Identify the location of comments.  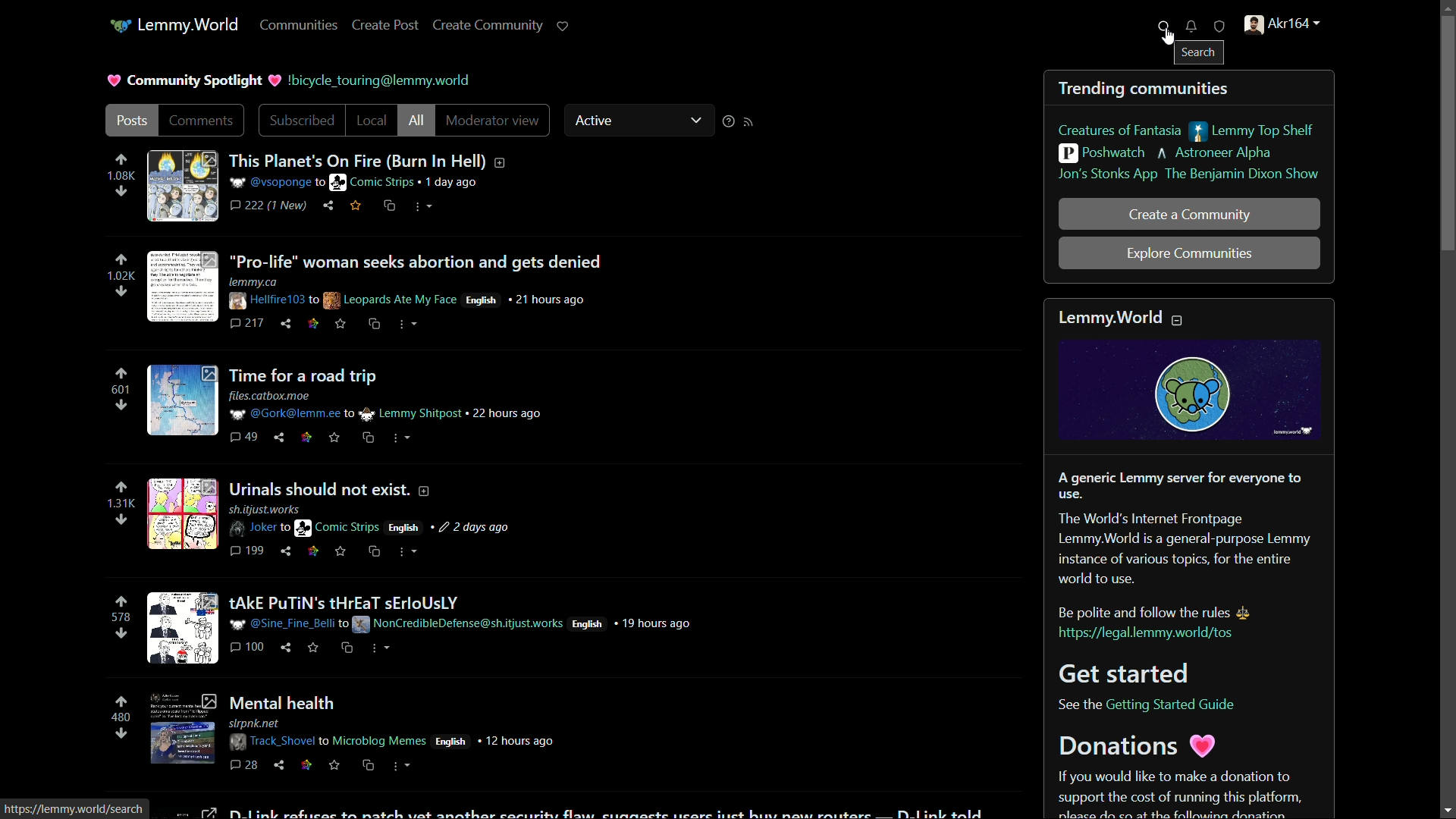
(202, 120).